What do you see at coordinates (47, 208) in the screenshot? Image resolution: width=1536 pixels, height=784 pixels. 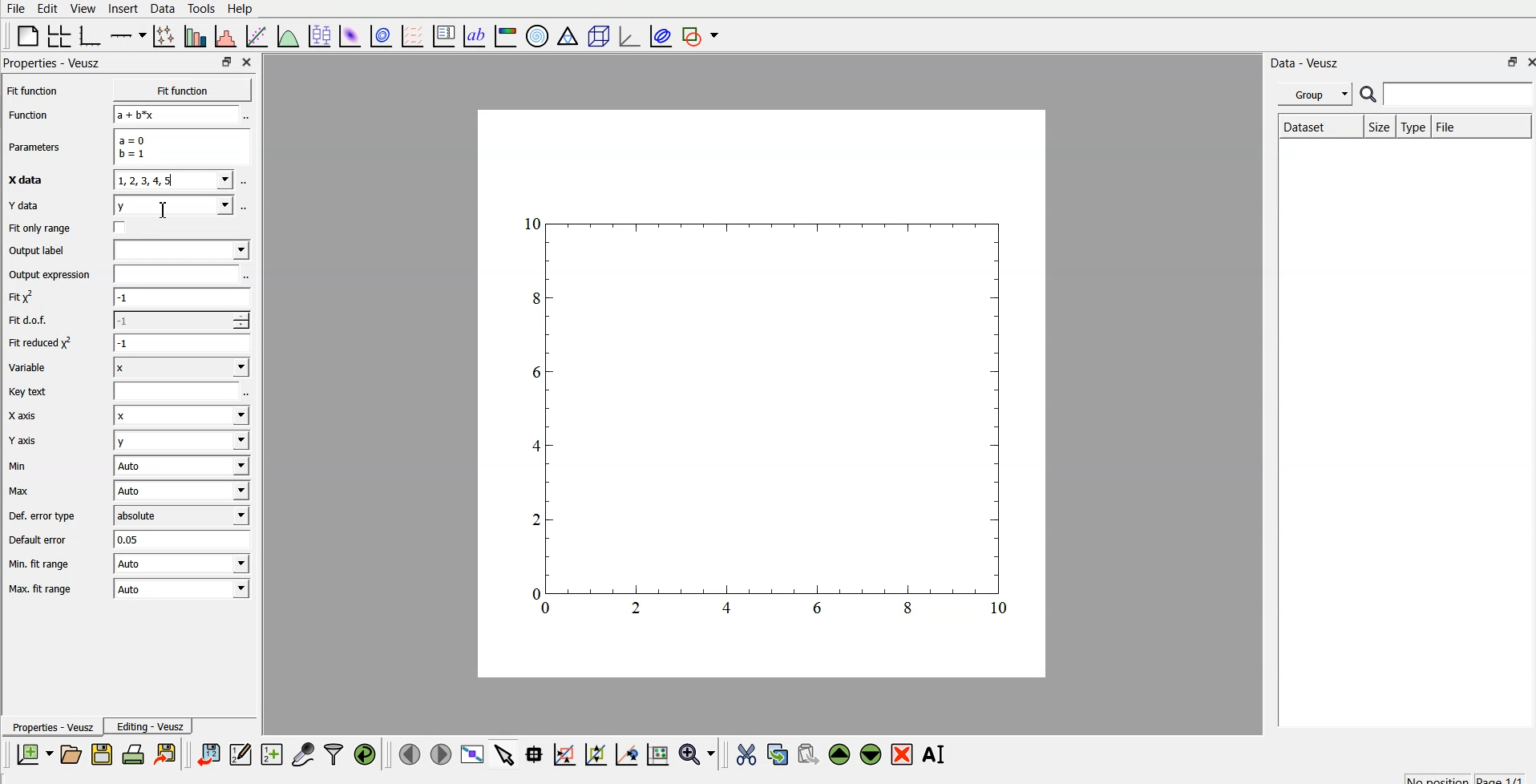 I see `Y data` at bounding box center [47, 208].